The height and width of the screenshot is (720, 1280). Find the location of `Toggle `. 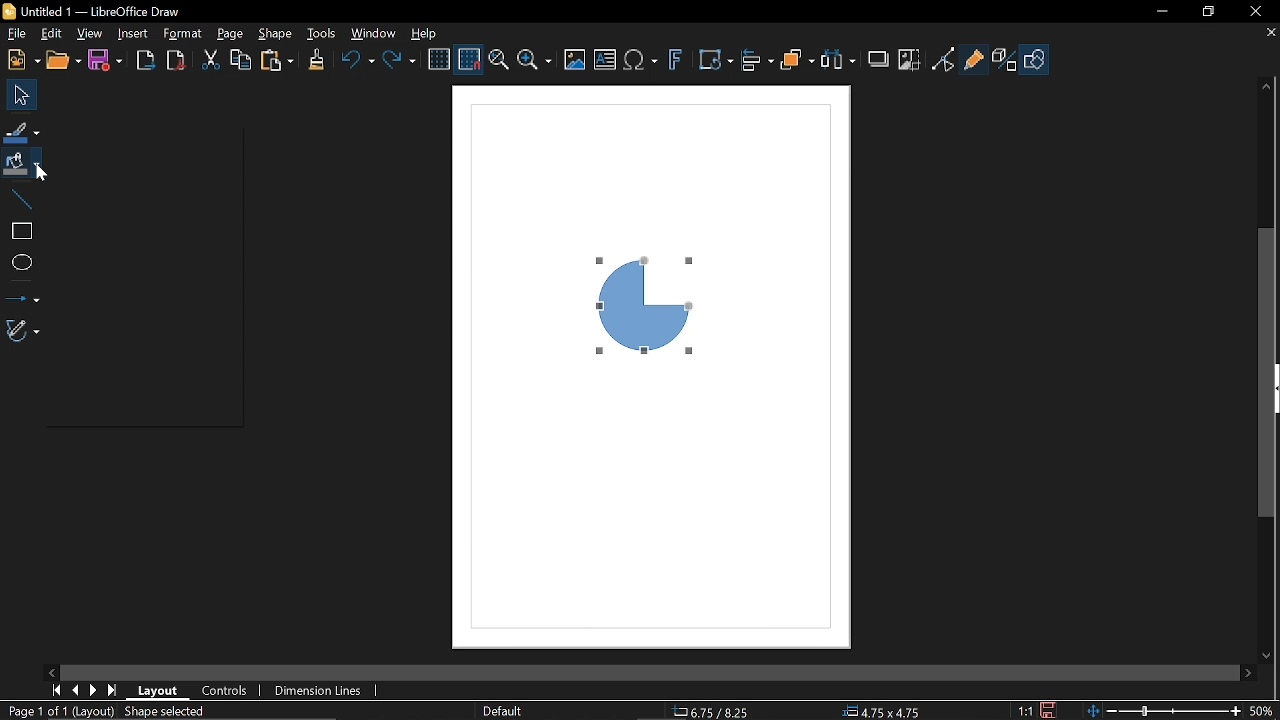

Toggle  is located at coordinates (943, 59).